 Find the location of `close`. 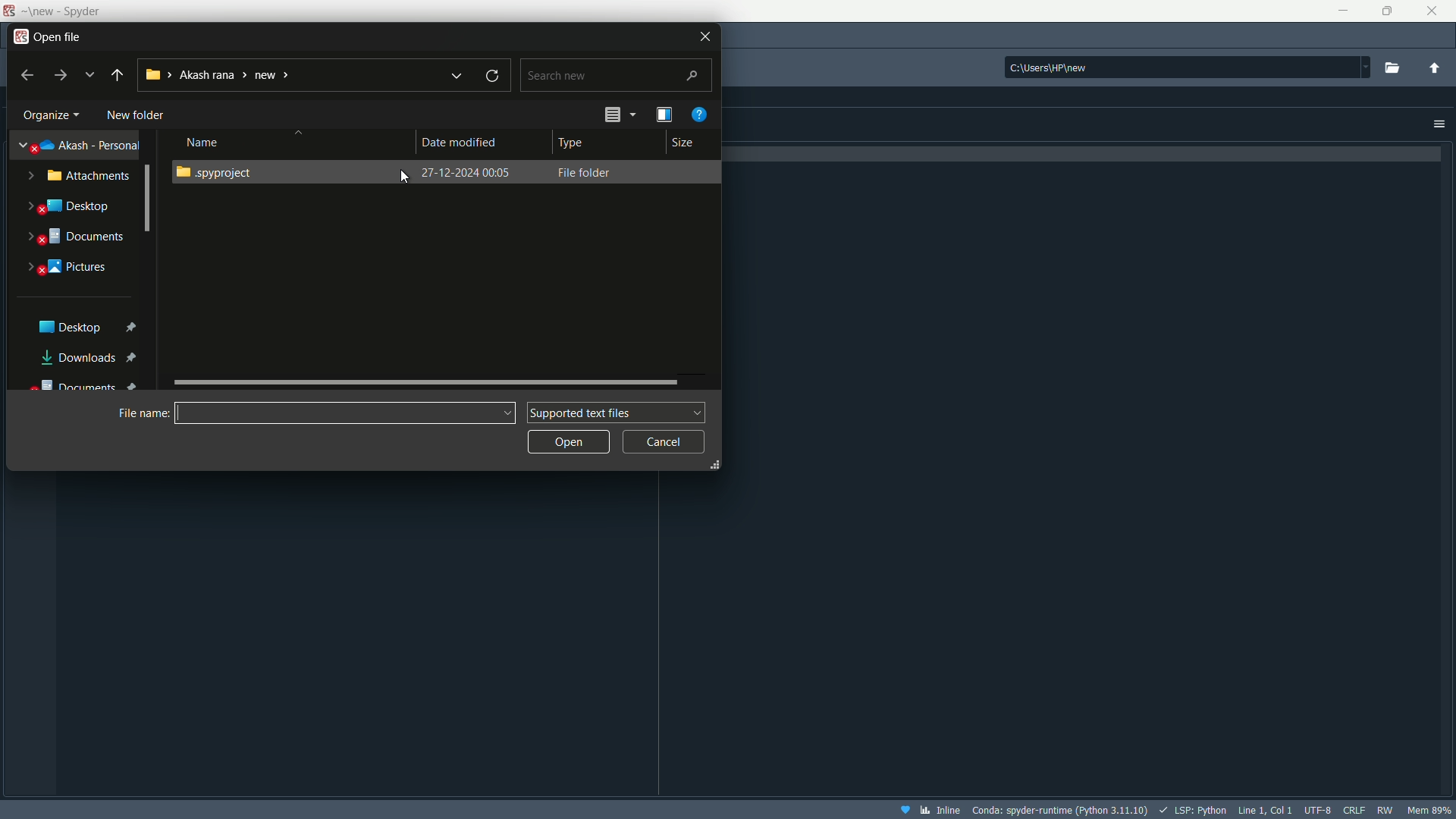

close is located at coordinates (1432, 11).